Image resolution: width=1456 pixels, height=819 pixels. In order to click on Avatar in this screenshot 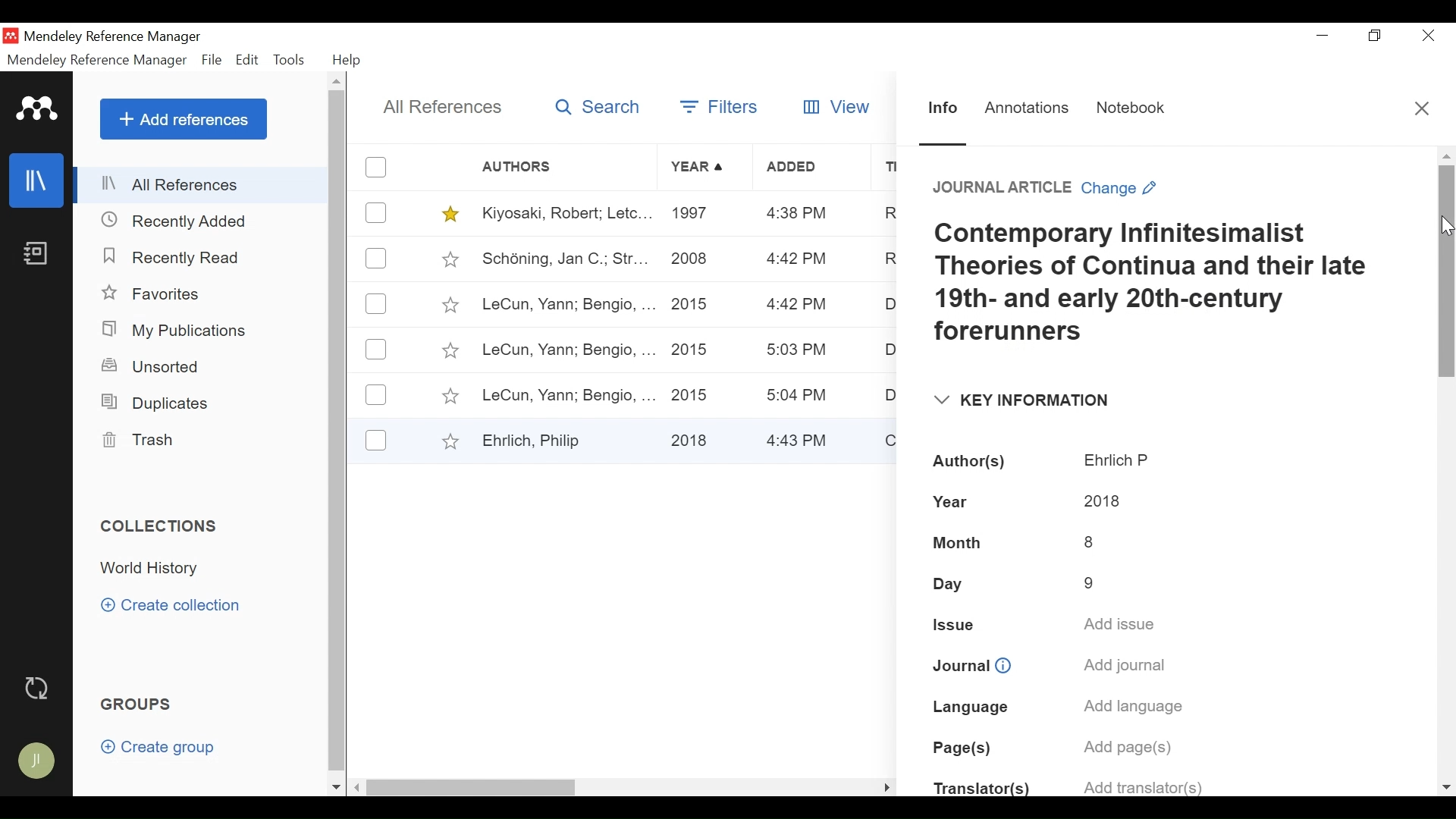, I will do `click(34, 760)`.